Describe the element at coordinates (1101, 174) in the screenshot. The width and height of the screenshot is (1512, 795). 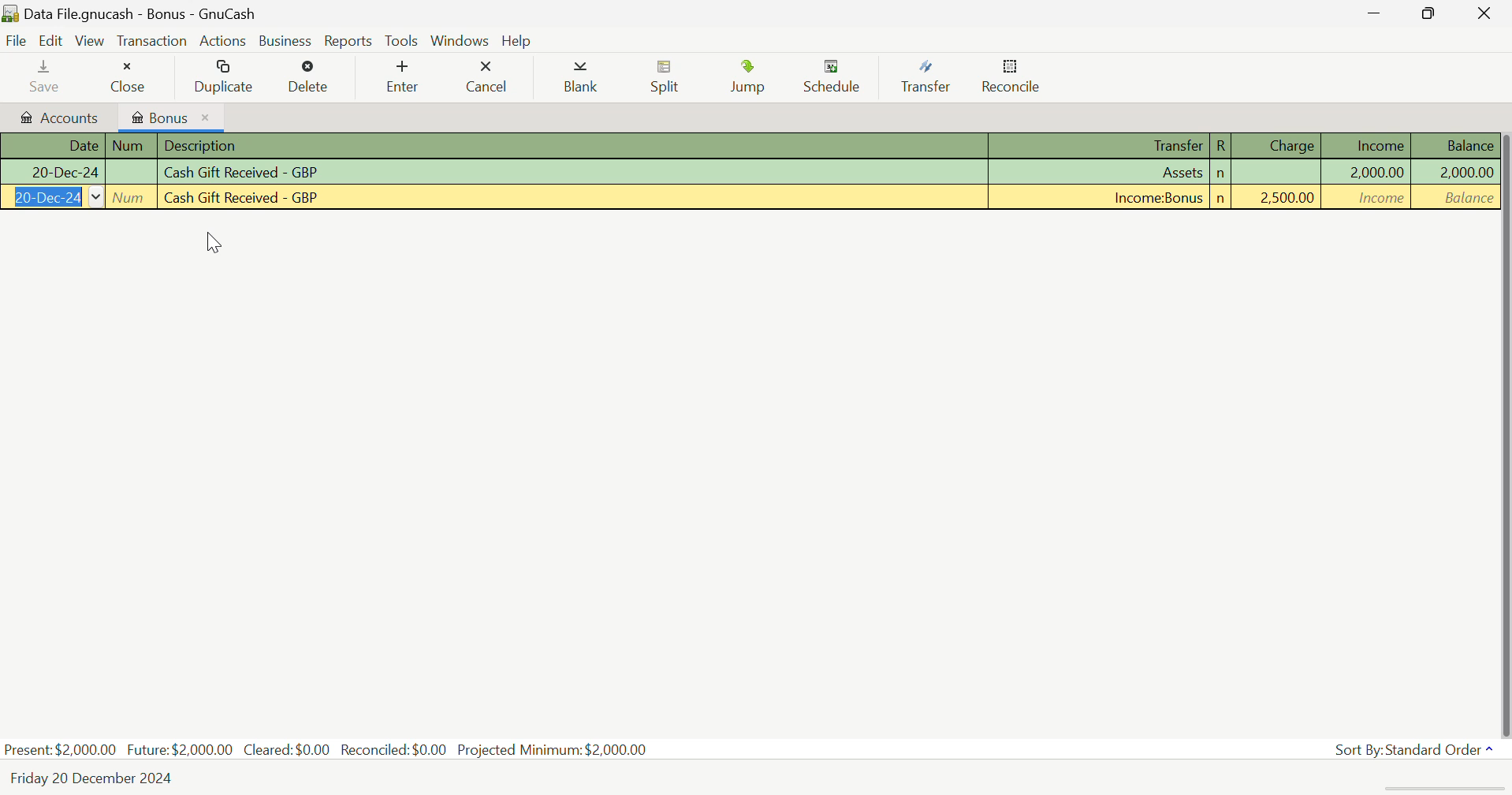
I see `Assets` at that location.